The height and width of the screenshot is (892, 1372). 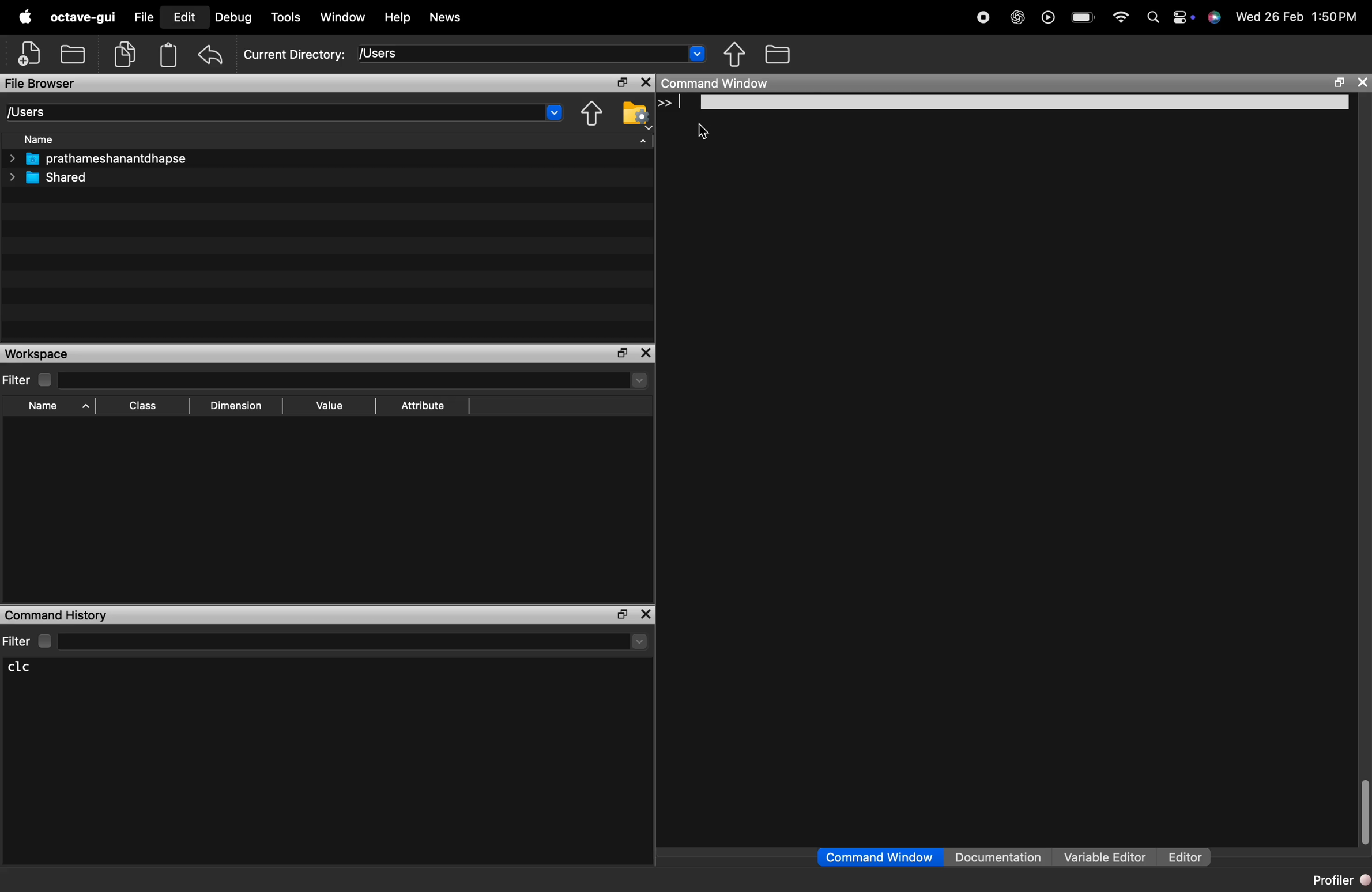 What do you see at coordinates (51, 408) in the screenshot?
I see `Name ` at bounding box center [51, 408].